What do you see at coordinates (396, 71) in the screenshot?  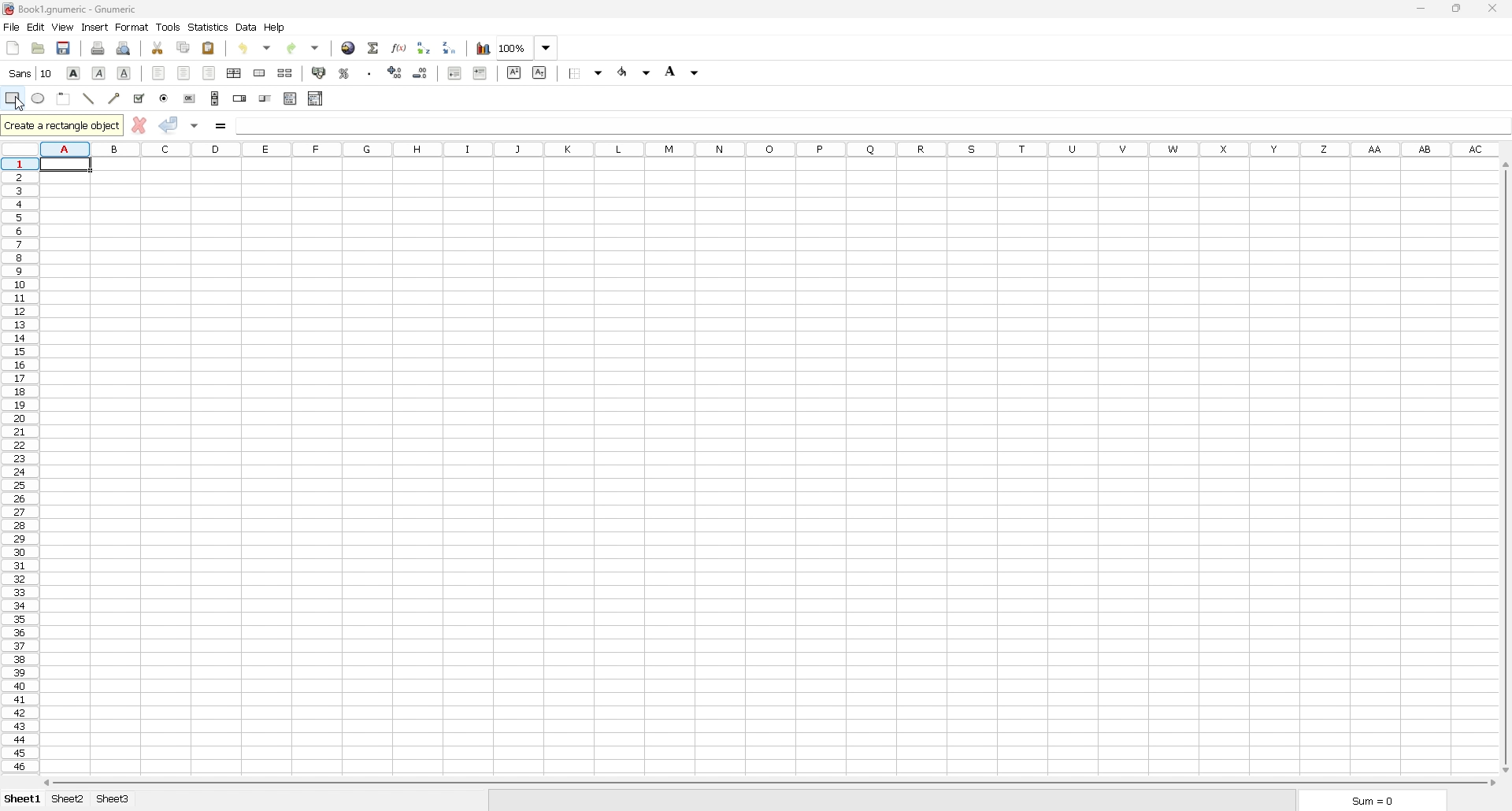 I see `increase decimals` at bounding box center [396, 71].